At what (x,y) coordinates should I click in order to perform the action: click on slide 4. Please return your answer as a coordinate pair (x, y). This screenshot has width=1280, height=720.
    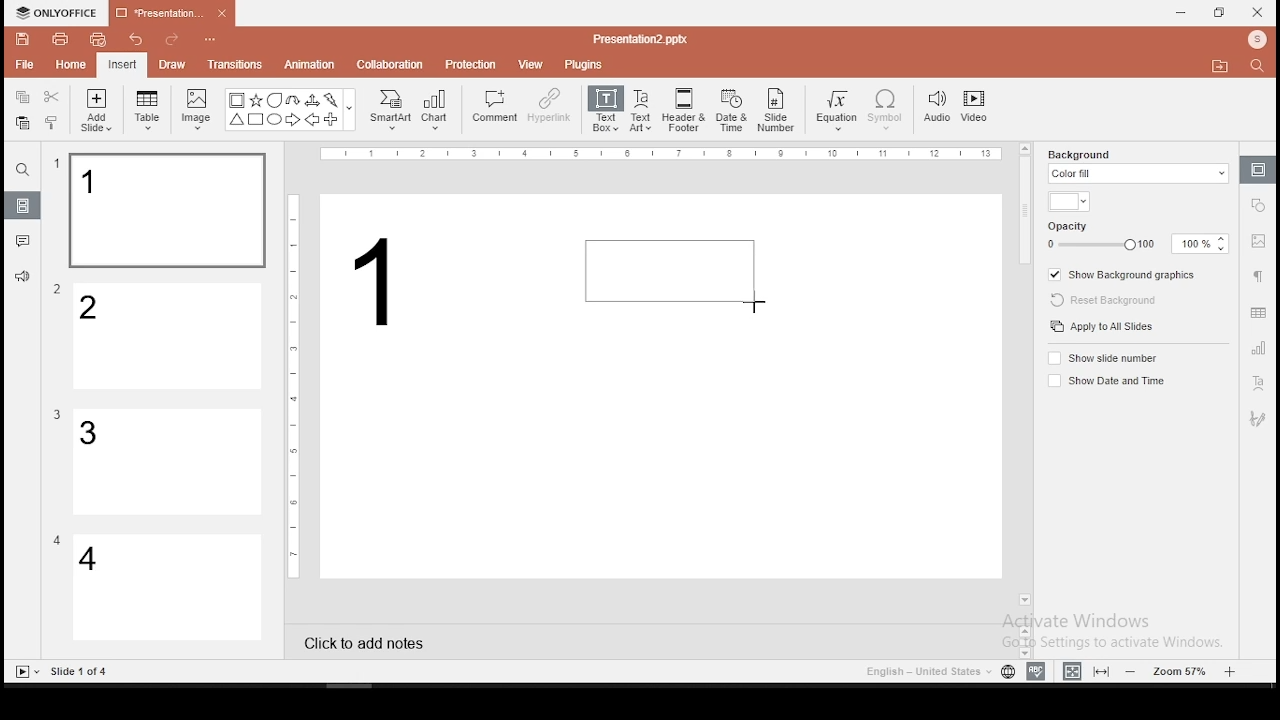
    Looking at the image, I should click on (168, 589).